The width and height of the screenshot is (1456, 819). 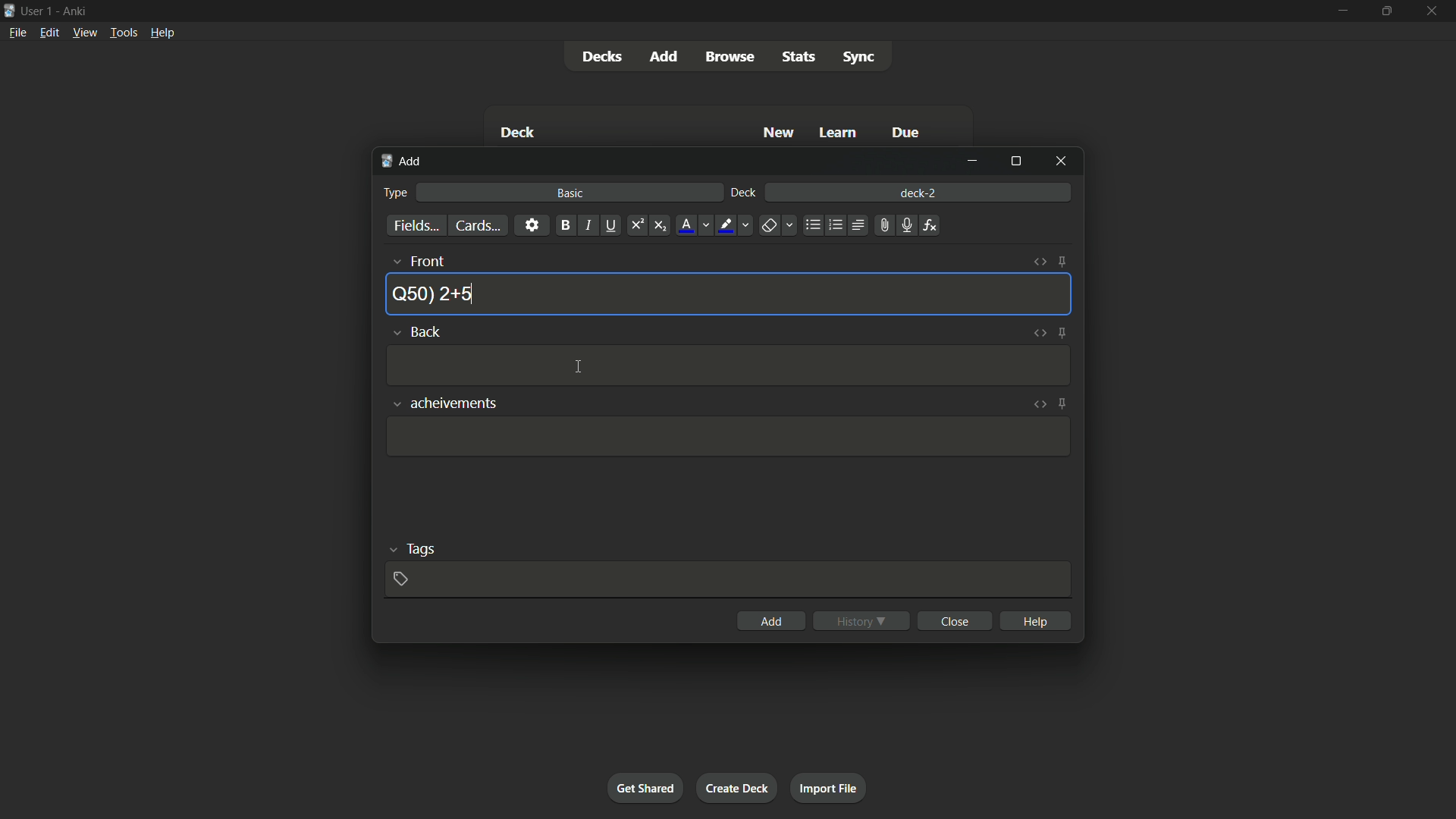 What do you see at coordinates (662, 56) in the screenshot?
I see `add` at bounding box center [662, 56].